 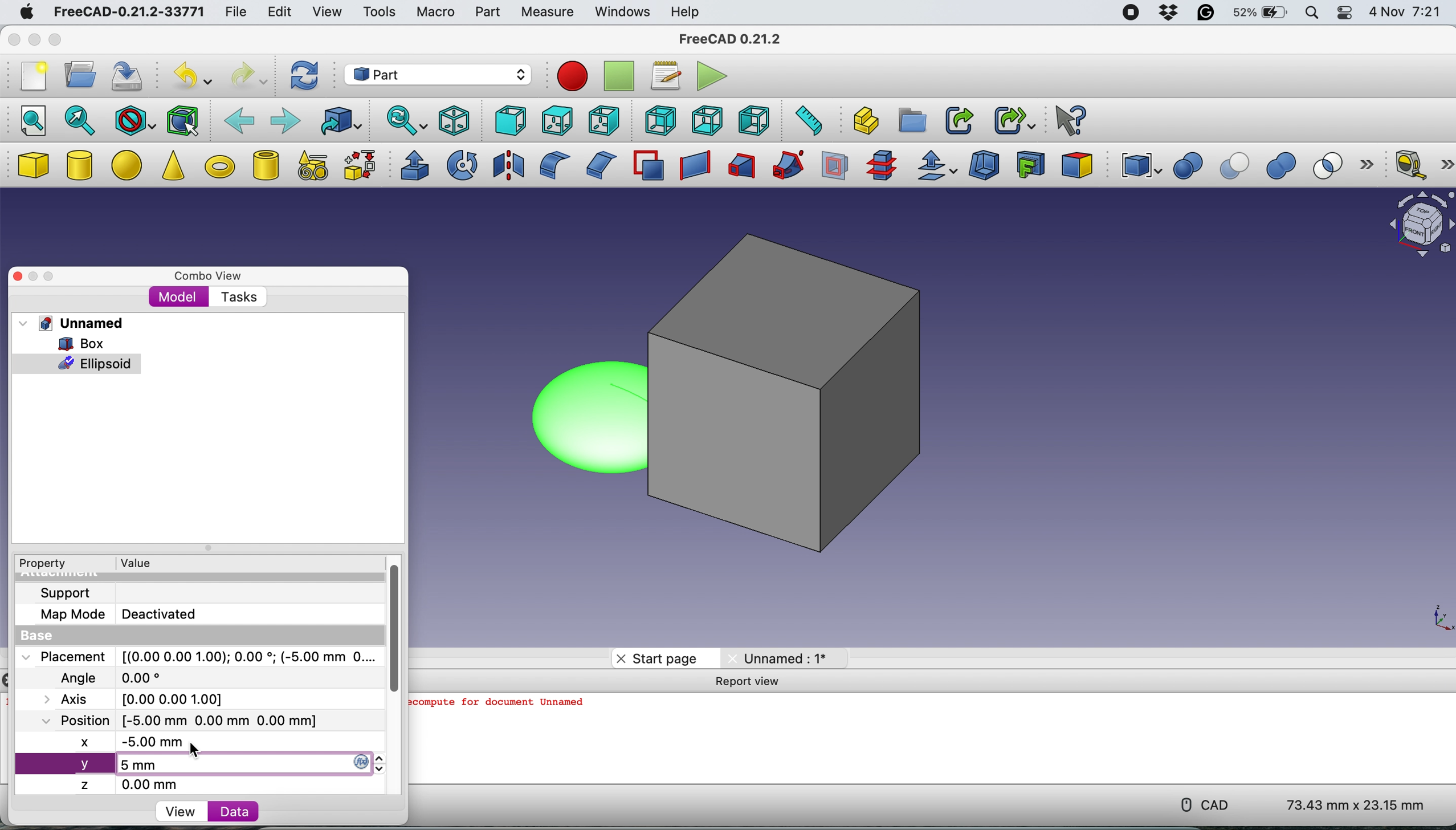 What do you see at coordinates (710, 78) in the screenshot?
I see `execute macros` at bounding box center [710, 78].